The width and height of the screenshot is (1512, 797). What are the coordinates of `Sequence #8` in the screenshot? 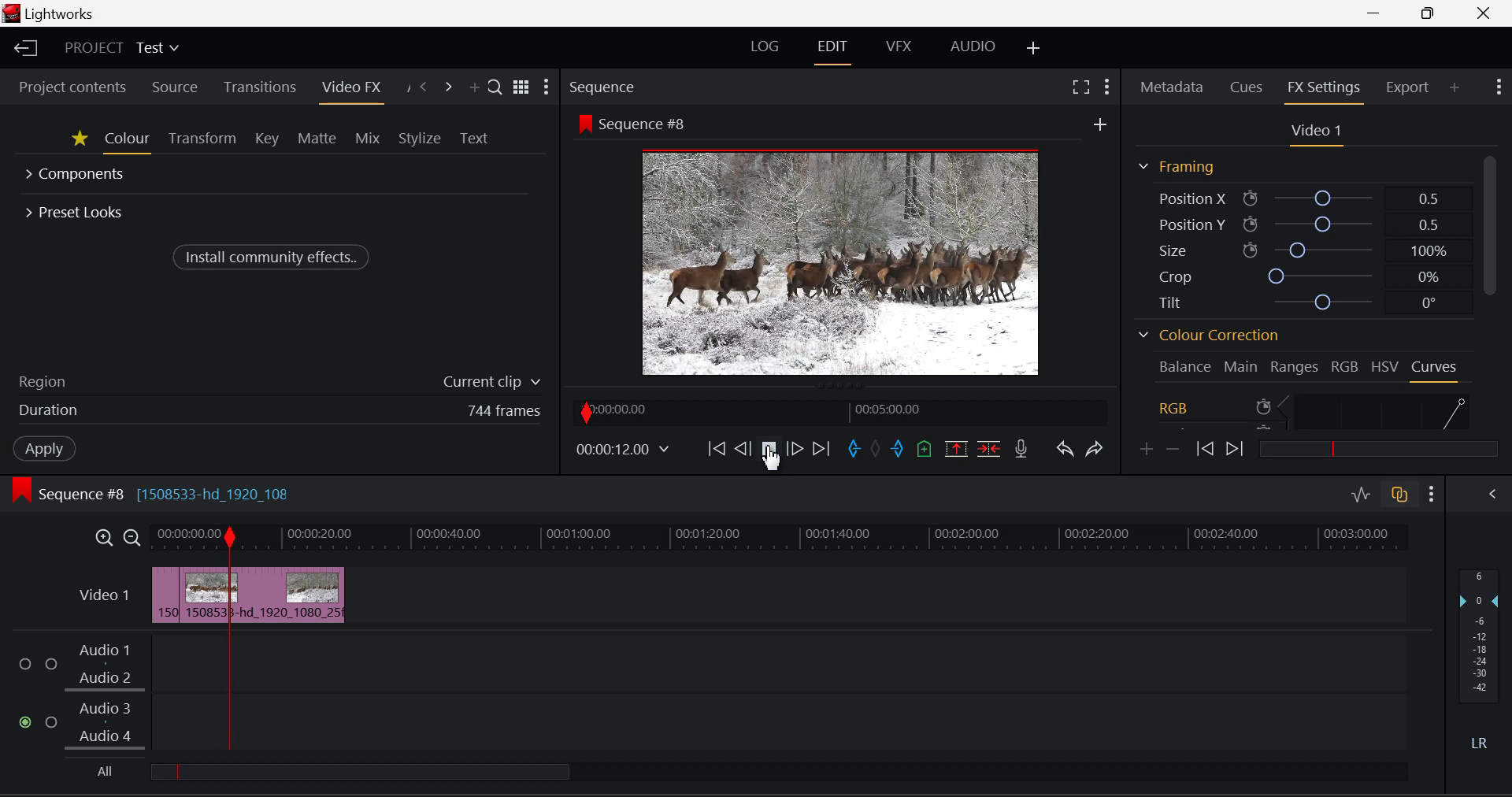 It's located at (636, 123).